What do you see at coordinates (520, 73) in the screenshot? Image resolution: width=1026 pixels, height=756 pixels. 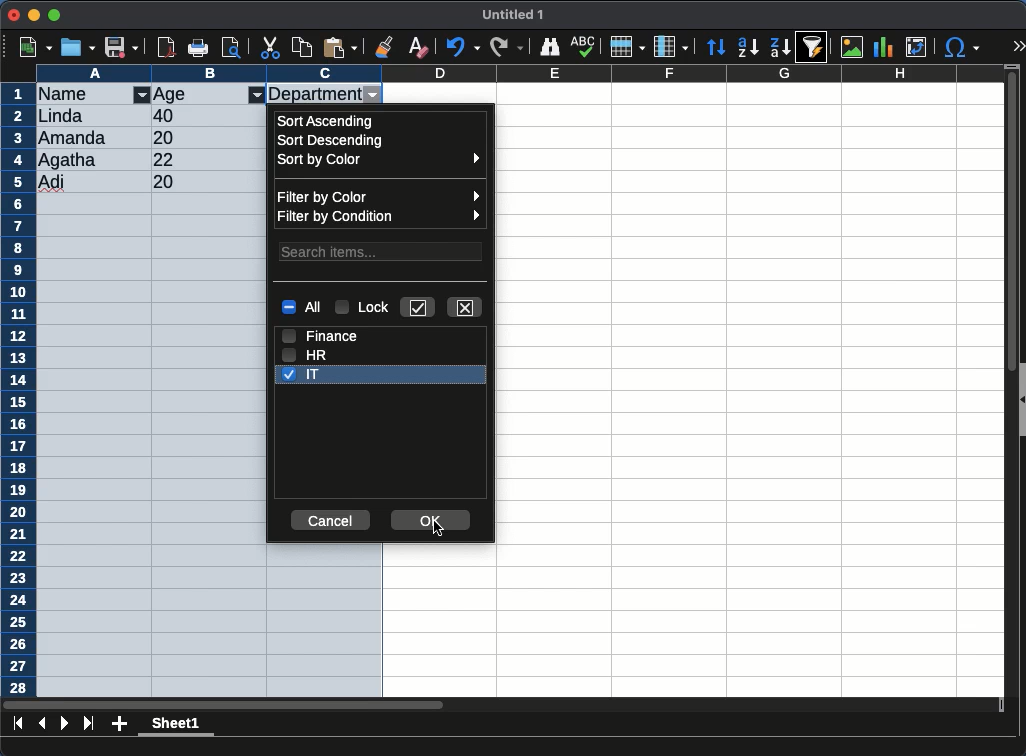 I see `columns` at bounding box center [520, 73].